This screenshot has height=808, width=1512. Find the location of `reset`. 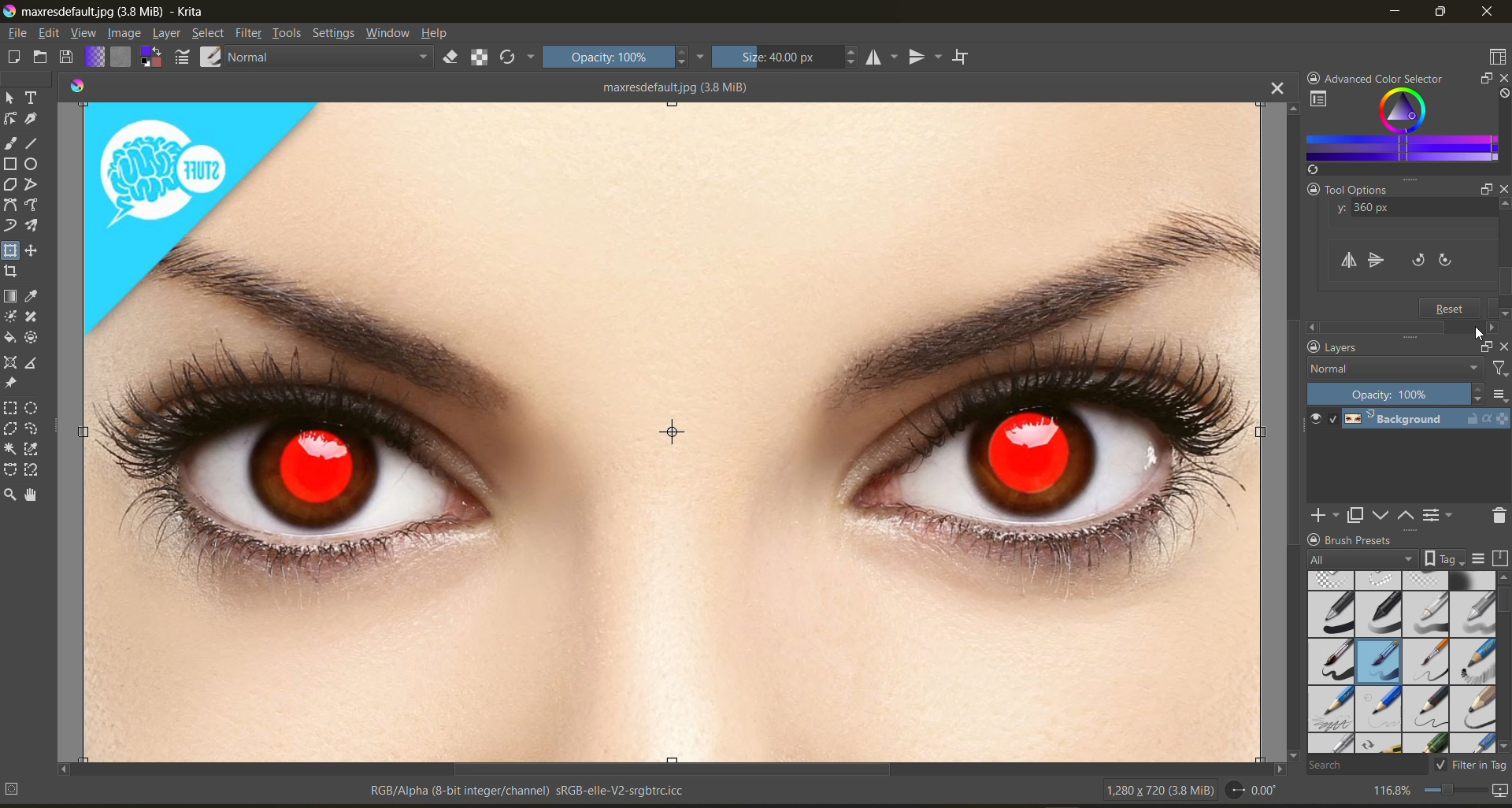

reset is located at coordinates (1451, 307).